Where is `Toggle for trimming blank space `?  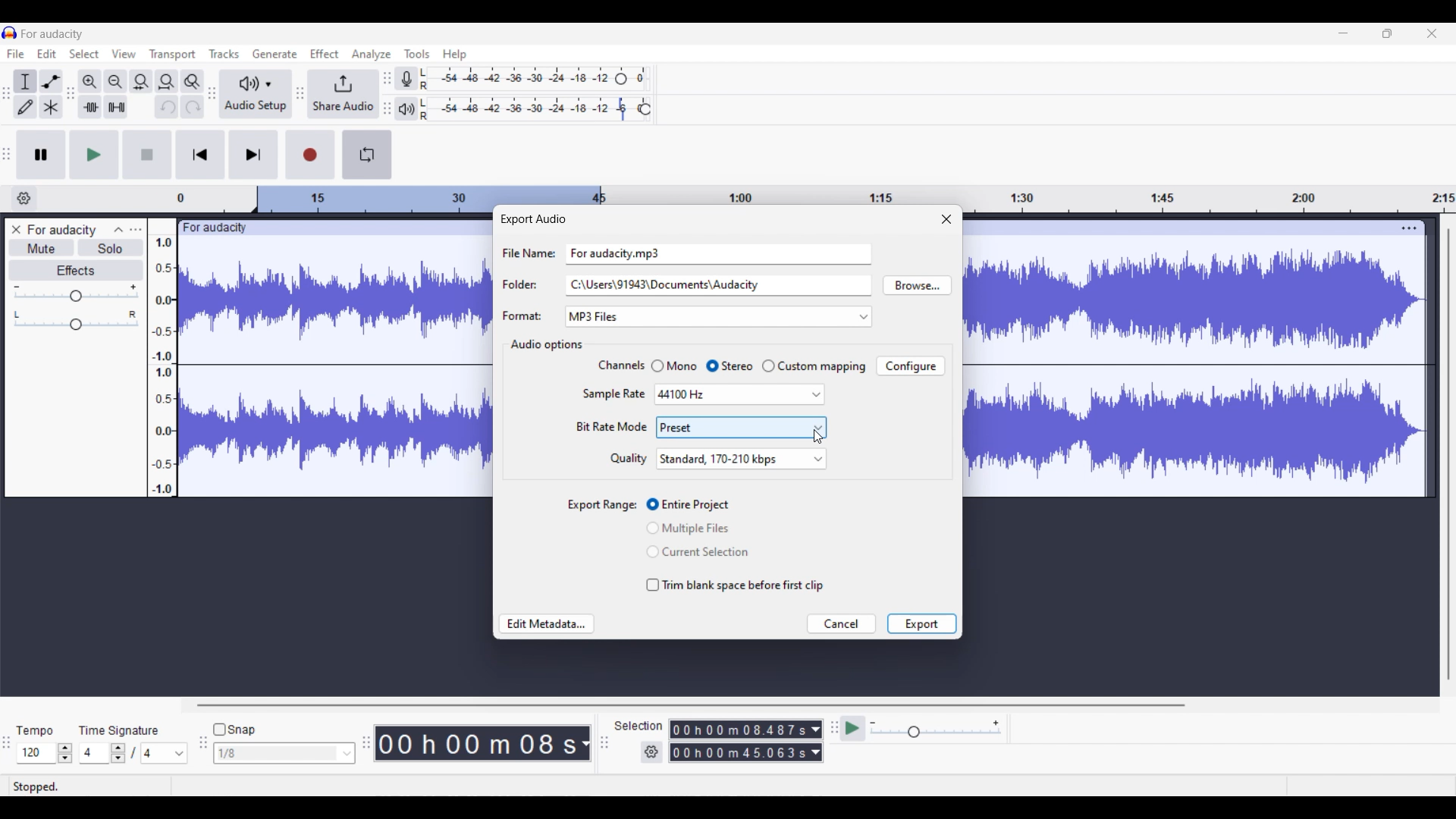 Toggle for trimming blank space  is located at coordinates (736, 585).